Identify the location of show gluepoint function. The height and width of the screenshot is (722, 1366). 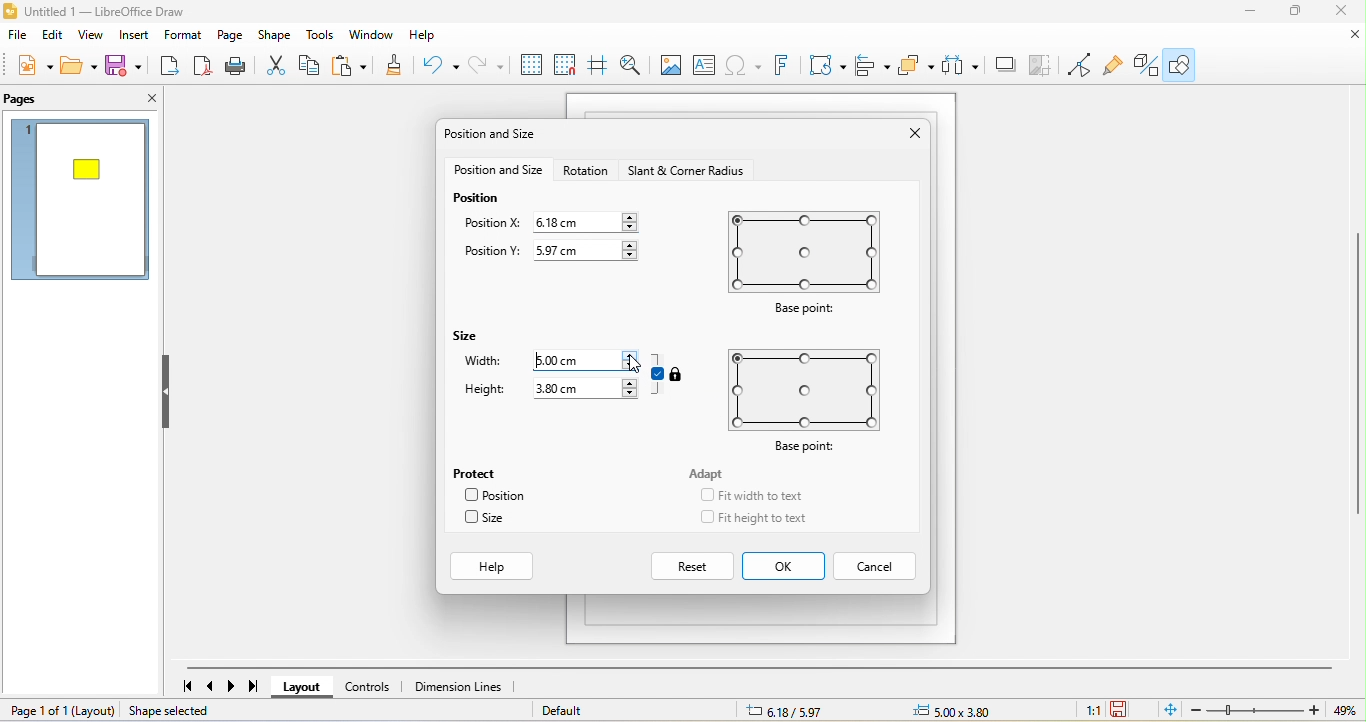
(1114, 64).